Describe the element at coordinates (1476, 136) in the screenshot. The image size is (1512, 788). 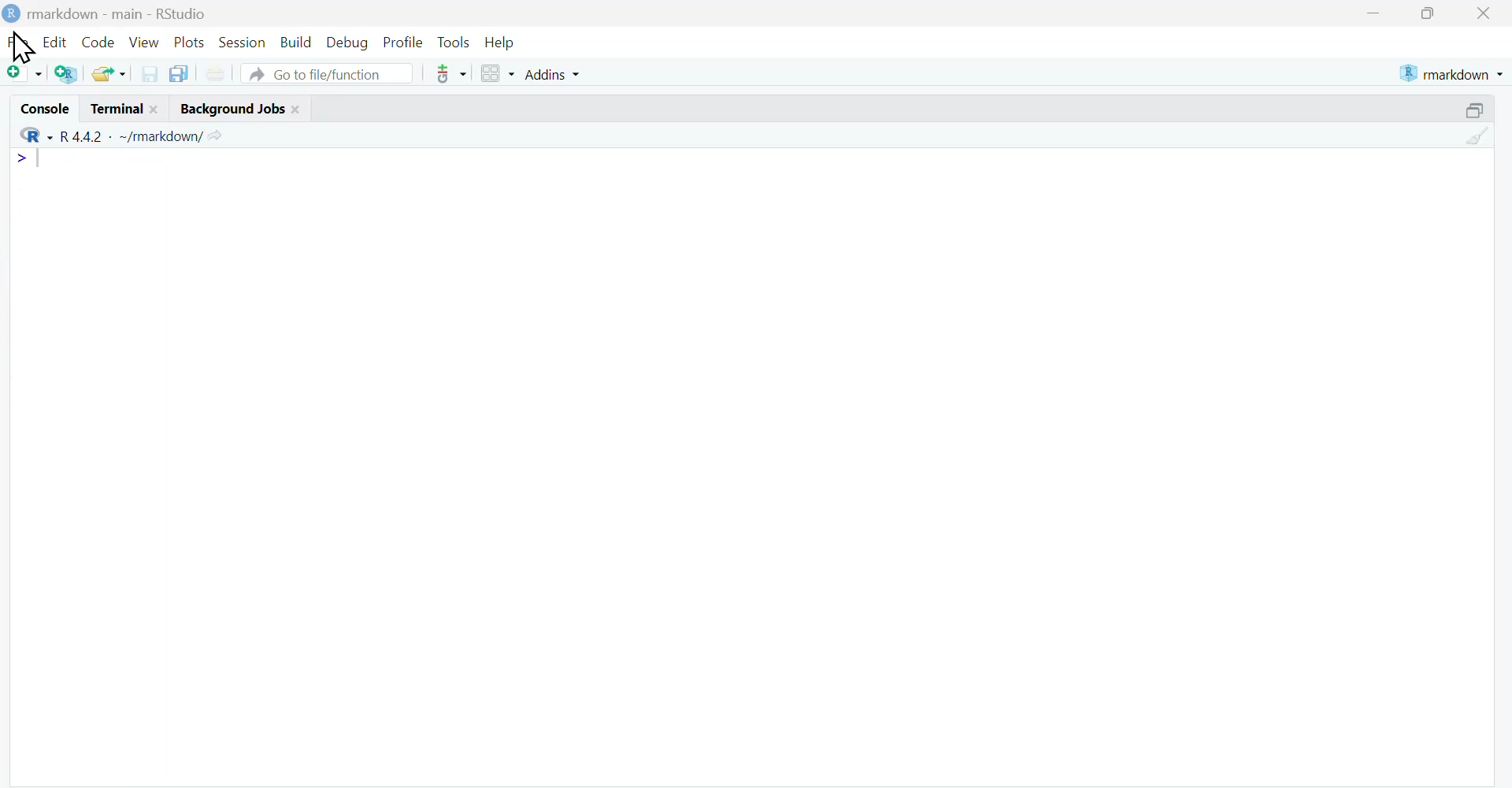
I see `Clear console` at that location.